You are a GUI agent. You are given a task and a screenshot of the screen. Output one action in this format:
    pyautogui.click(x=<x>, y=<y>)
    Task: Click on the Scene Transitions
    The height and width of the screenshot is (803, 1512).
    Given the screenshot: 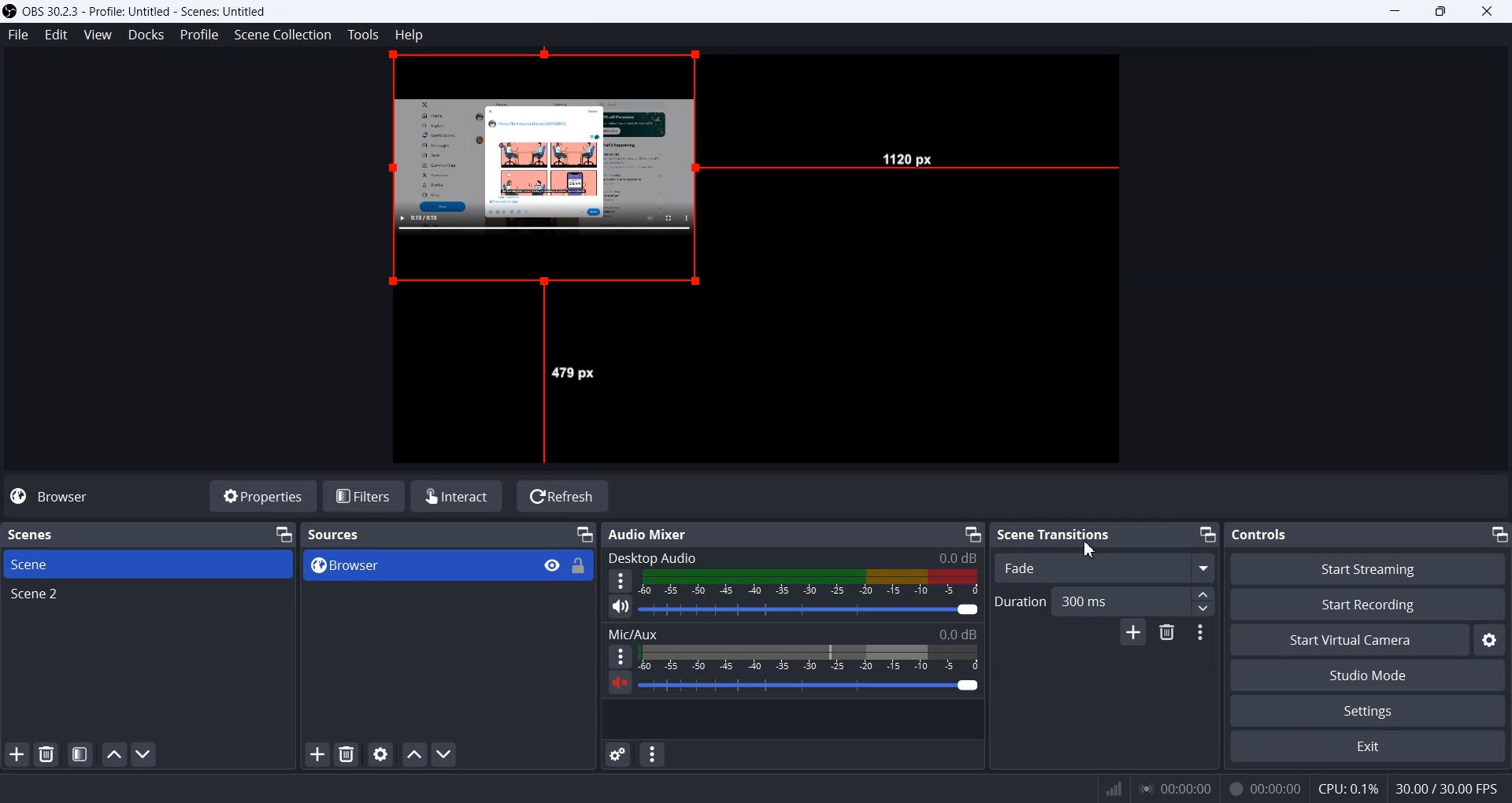 What is the action you would take?
    pyautogui.click(x=1055, y=535)
    